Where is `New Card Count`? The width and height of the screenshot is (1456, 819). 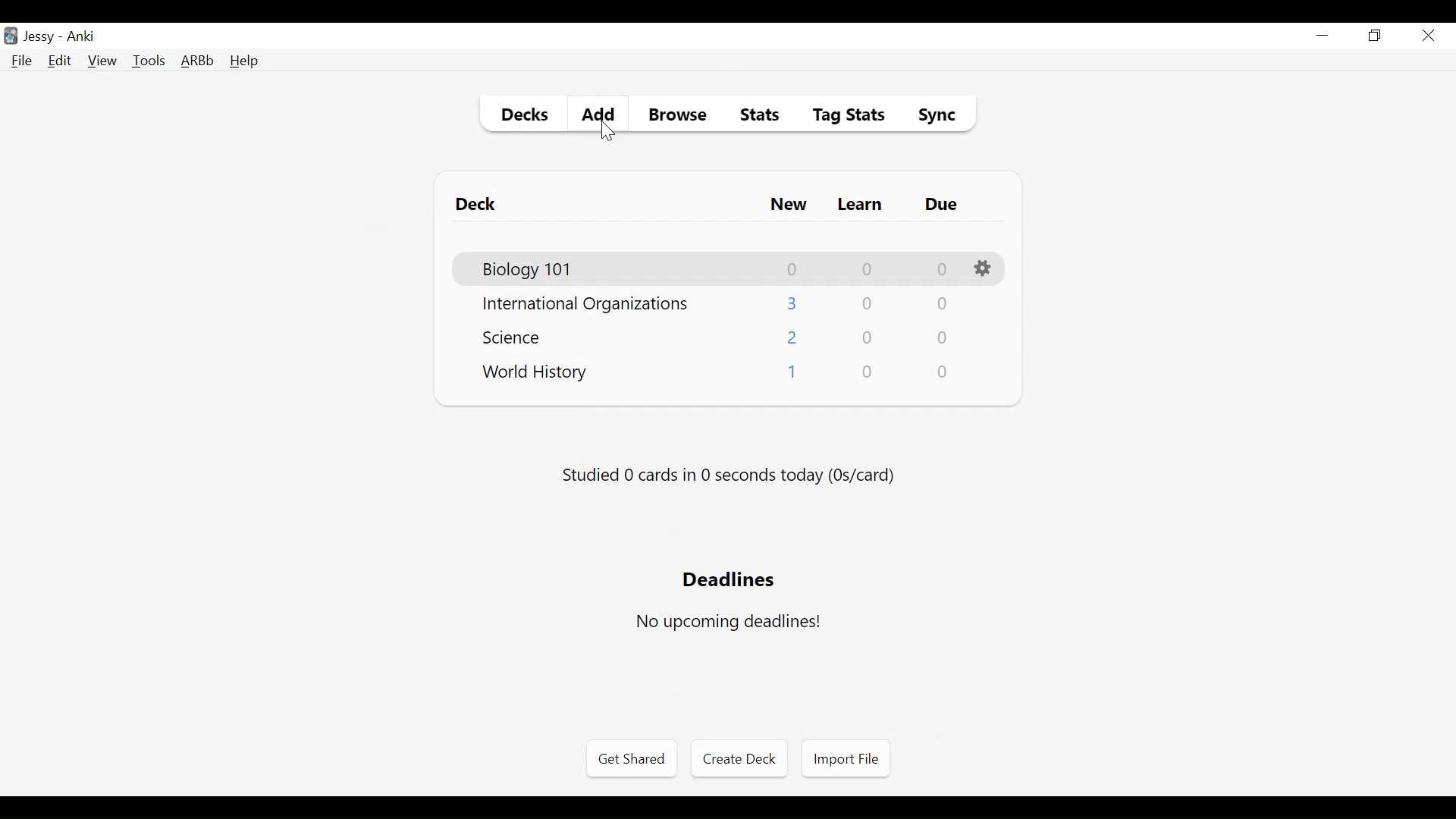 New Card Count is located at coordinates (793, 339).